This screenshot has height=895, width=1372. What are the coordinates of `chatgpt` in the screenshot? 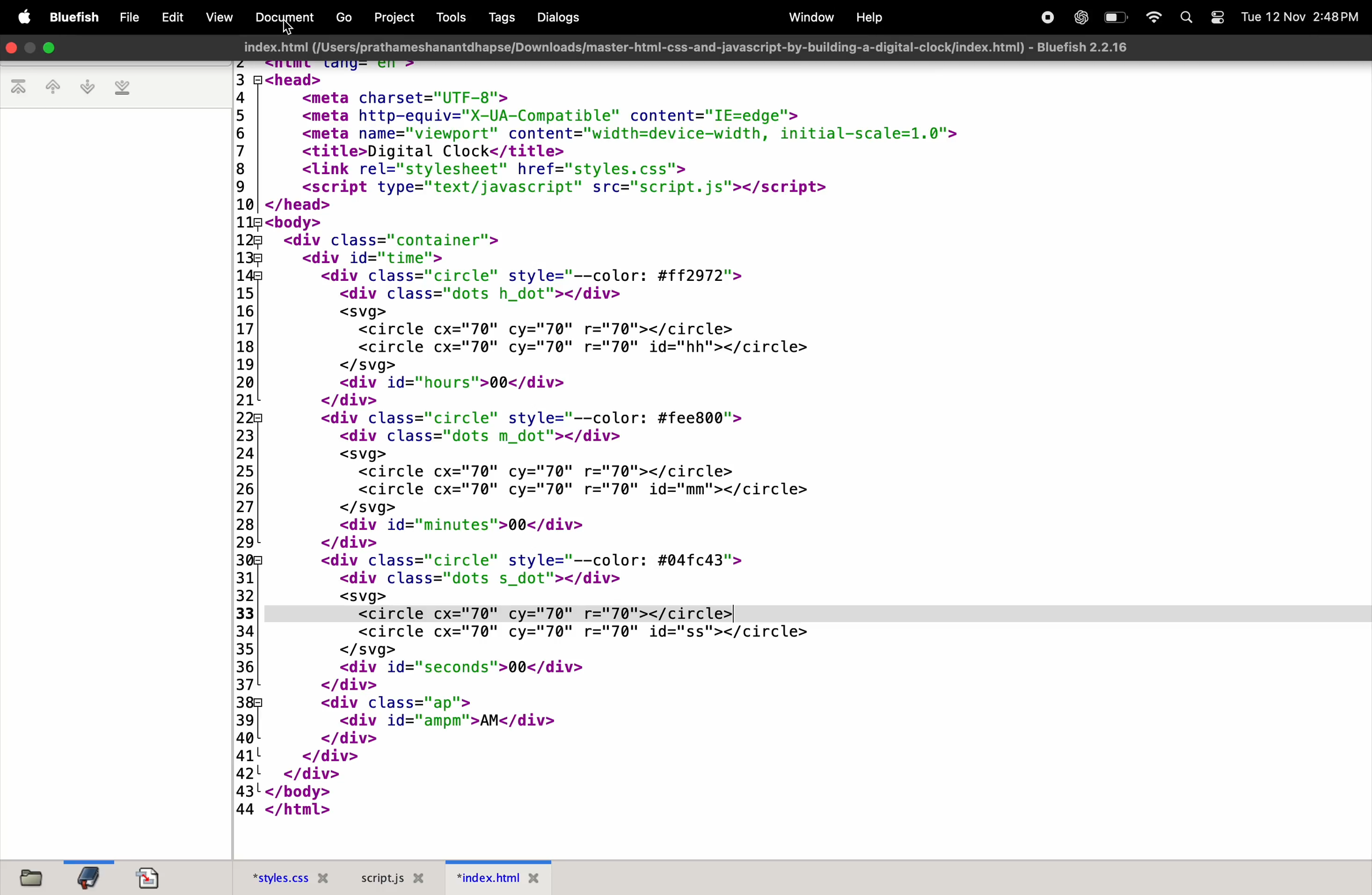 It's located at (1079, 17).